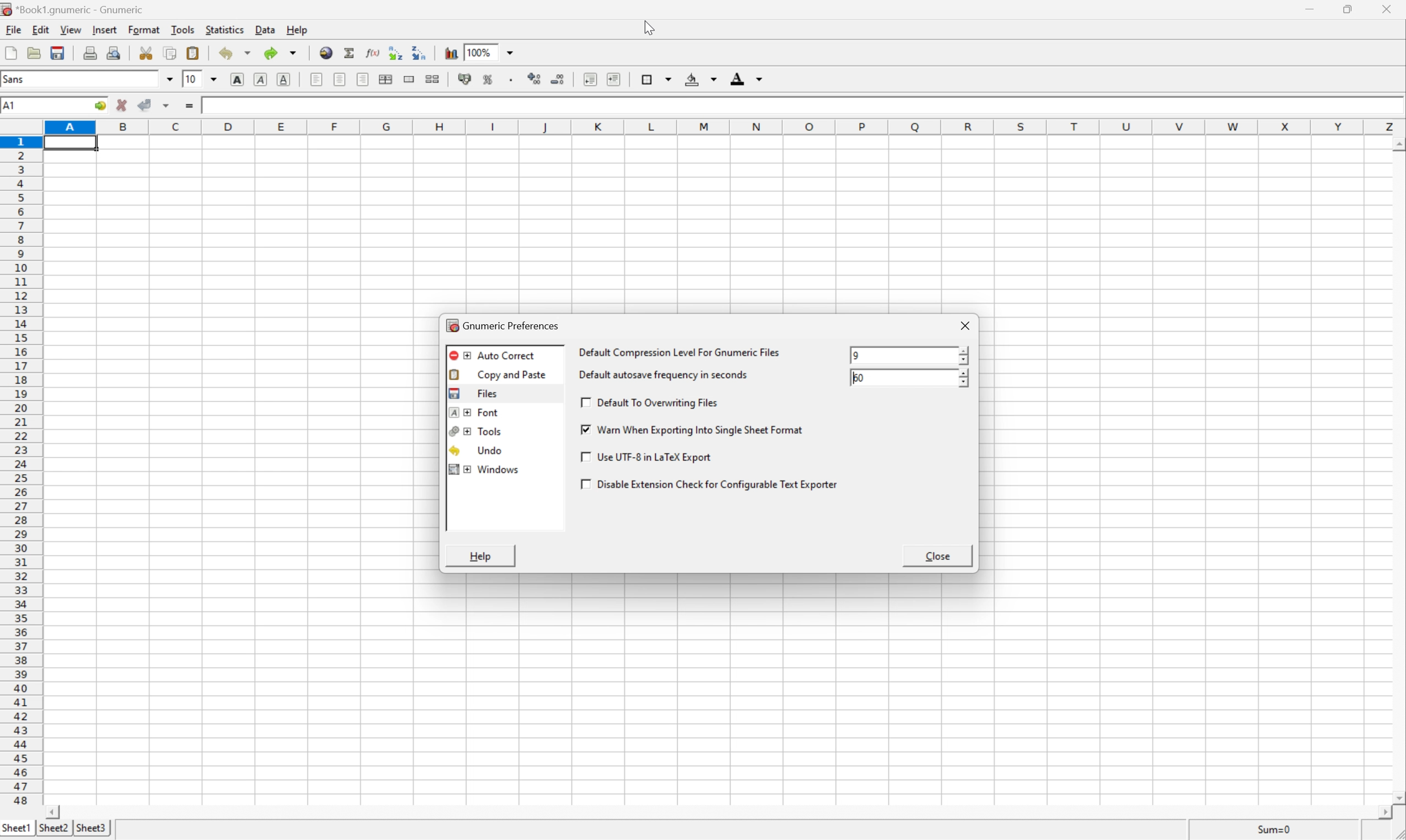  What do you see at coordinates (966, 353) in the screenshot?
I see `slider` at bounding box center [966, 353].